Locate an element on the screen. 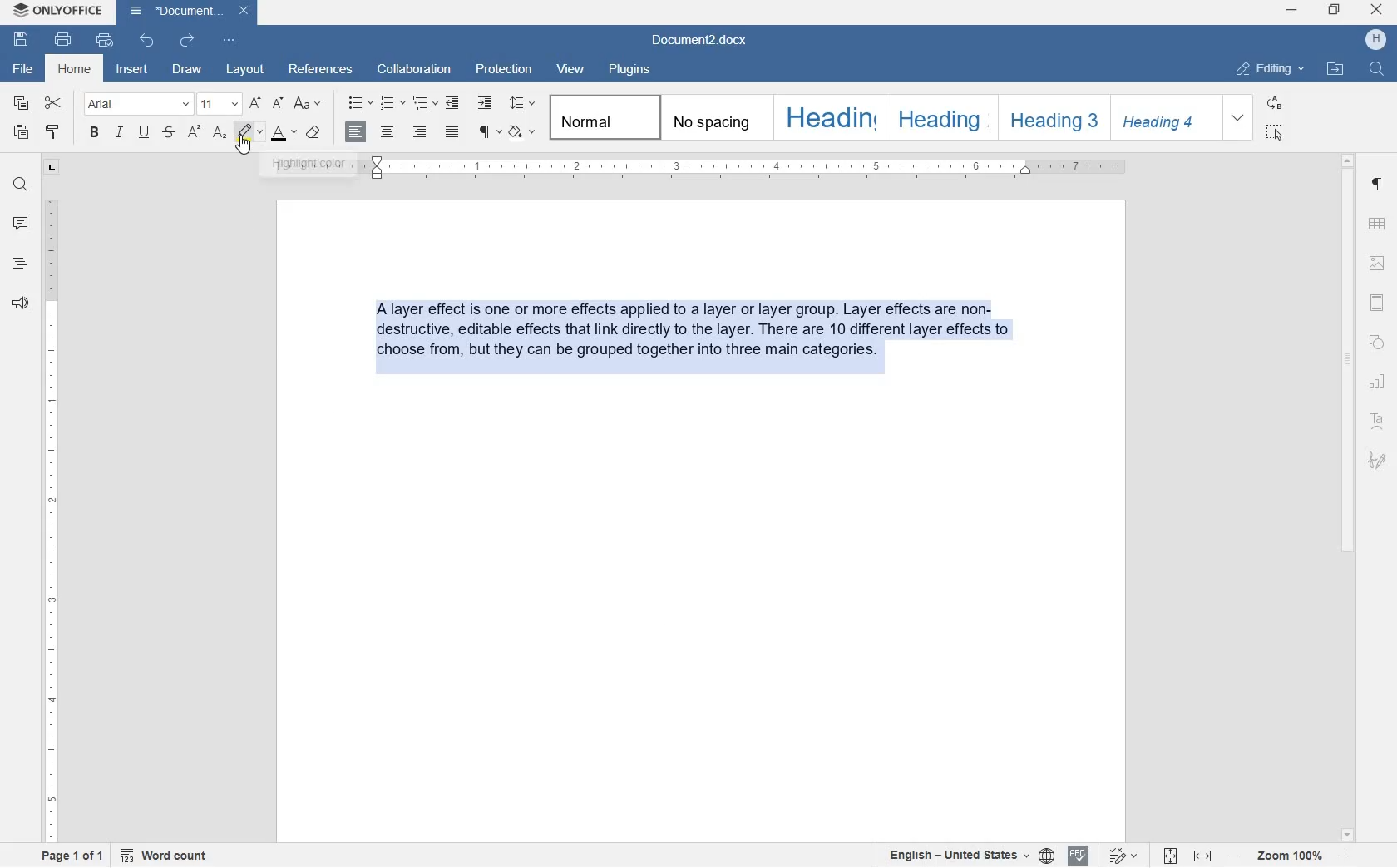  VIEW is located at coordinates (570, 69).